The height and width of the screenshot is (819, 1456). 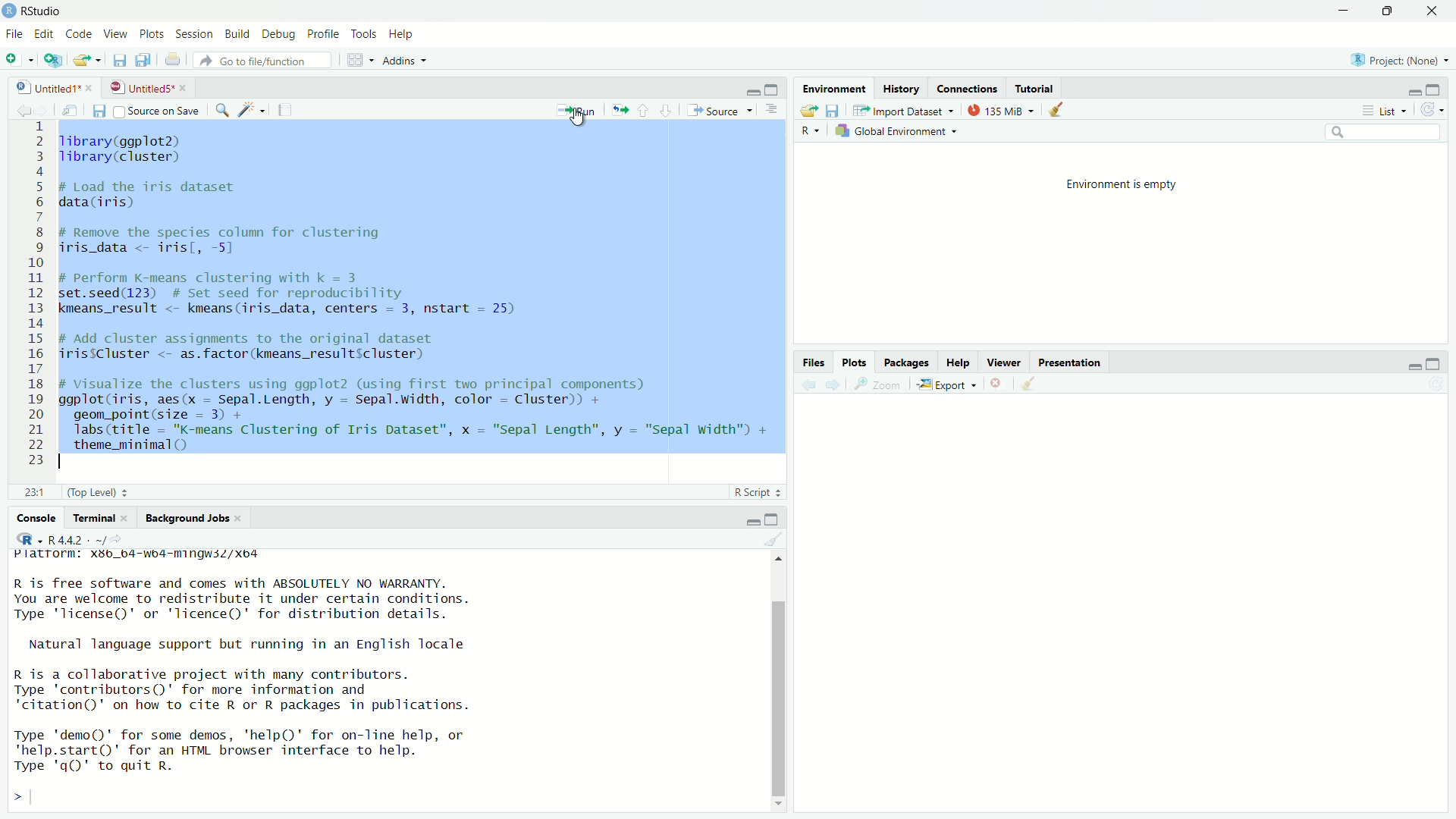 I want to click on R 1s Tree software and comes with ABSOLUTELY NO WARRANTY.
You are welcome to redistribute it under certain conditions.
Type 'Ticense()' or 'licence()' for distribution details., so click(x=328, y=598).